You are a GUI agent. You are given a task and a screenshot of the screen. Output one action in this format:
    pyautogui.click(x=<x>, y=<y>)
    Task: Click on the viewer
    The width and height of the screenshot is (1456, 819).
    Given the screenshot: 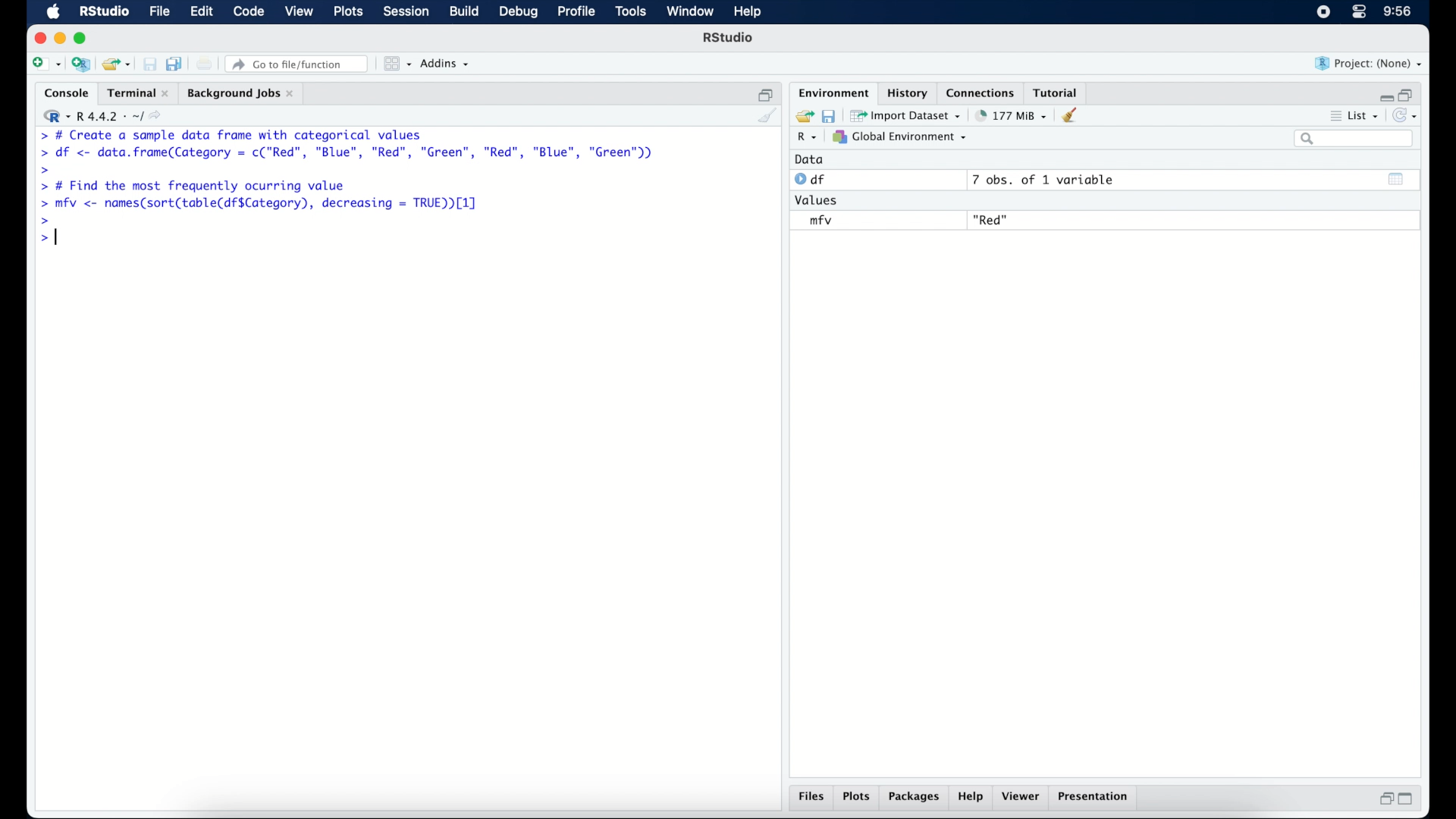 What is the action you would take?
    pyautogui.click(x=1022, y=798)
    